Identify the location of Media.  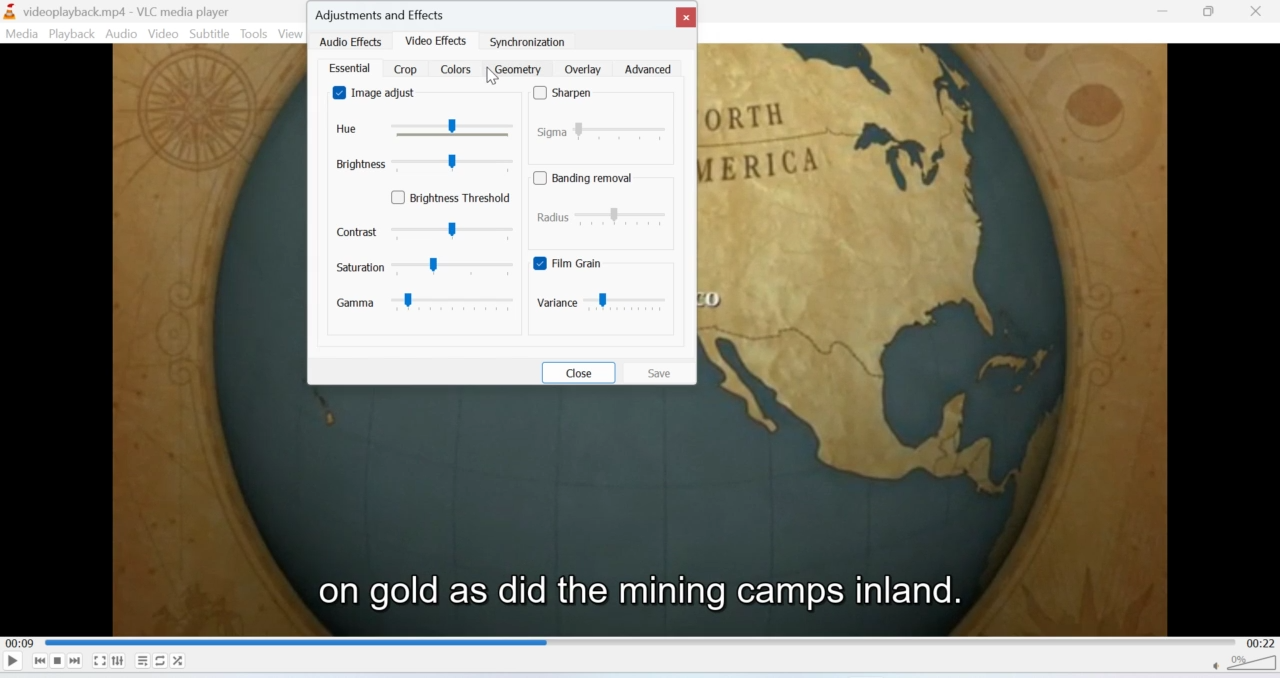
(20, 34).